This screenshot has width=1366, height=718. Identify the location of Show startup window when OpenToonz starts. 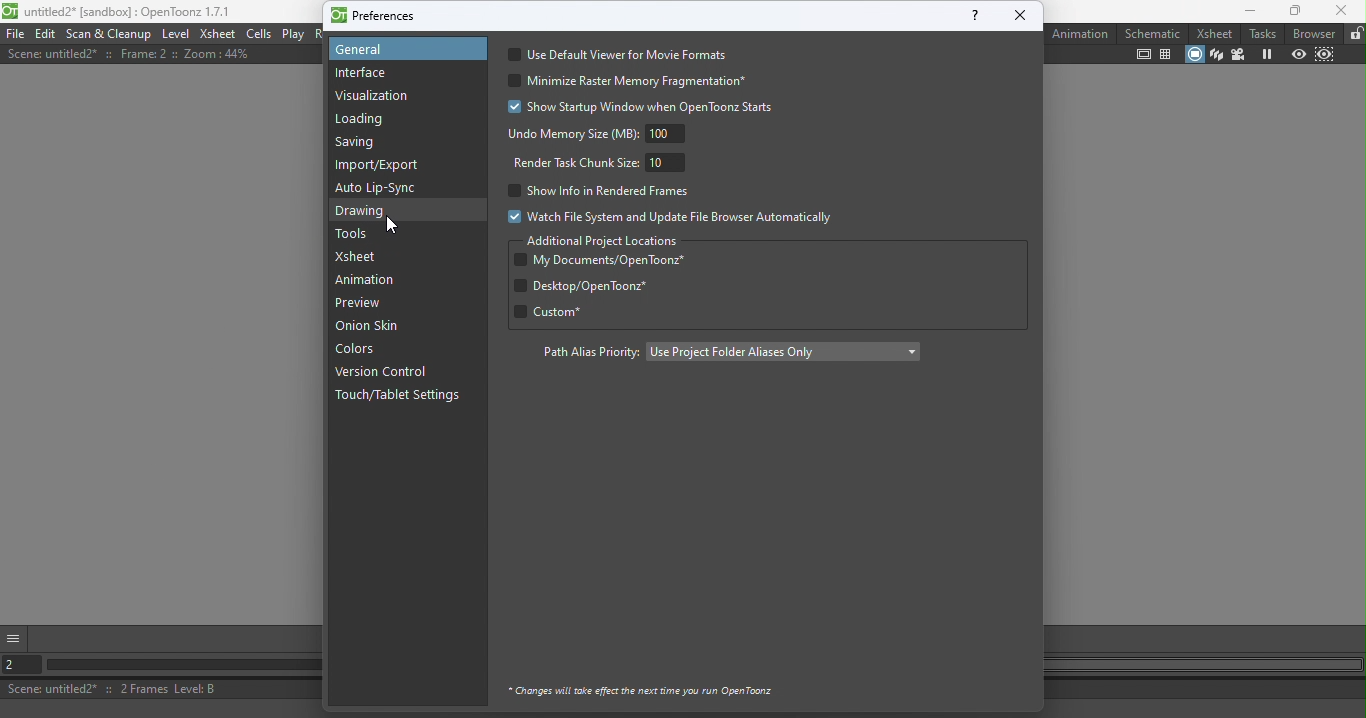
(632, 105).